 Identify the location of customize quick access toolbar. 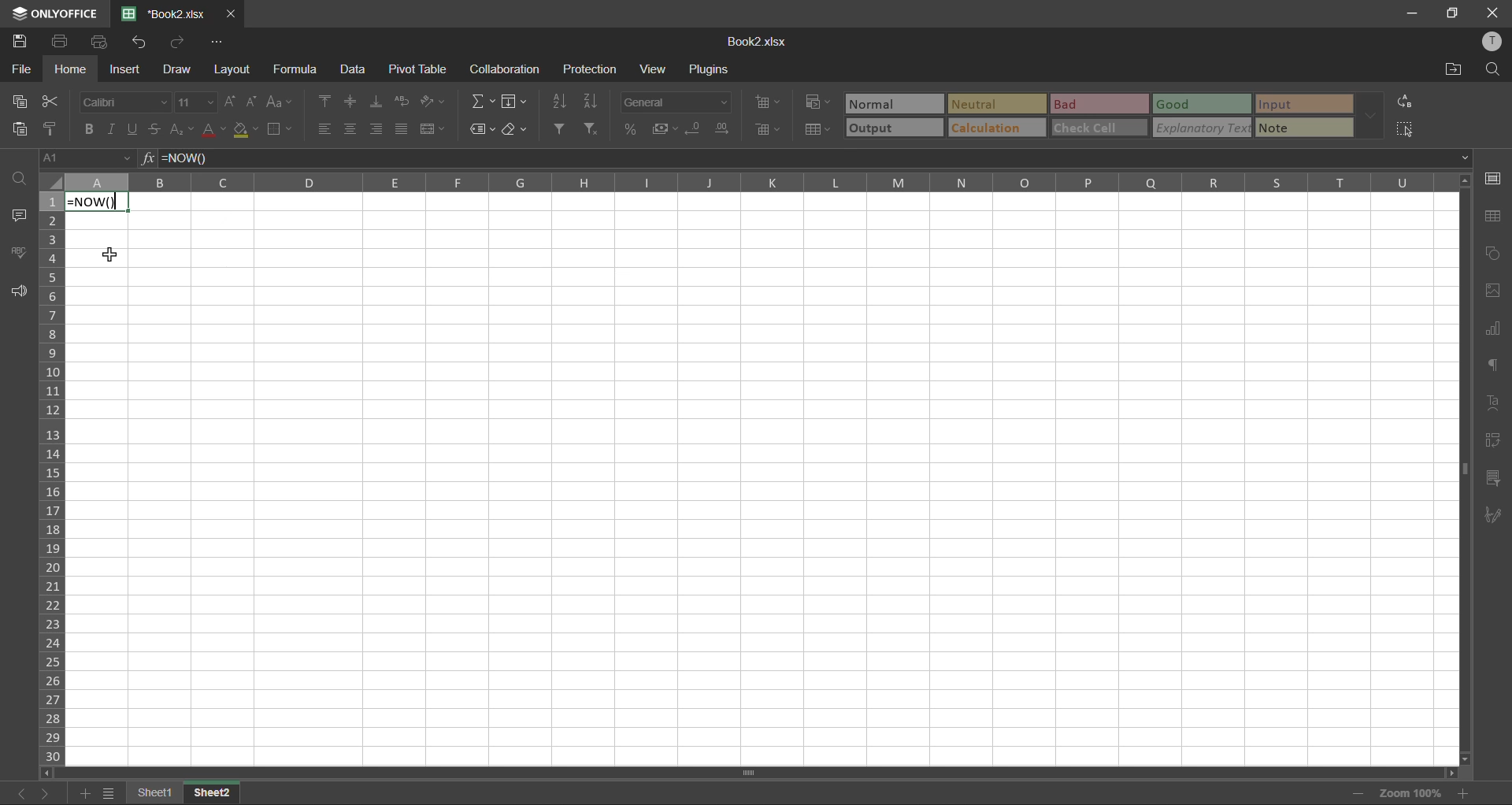
(217, 43).